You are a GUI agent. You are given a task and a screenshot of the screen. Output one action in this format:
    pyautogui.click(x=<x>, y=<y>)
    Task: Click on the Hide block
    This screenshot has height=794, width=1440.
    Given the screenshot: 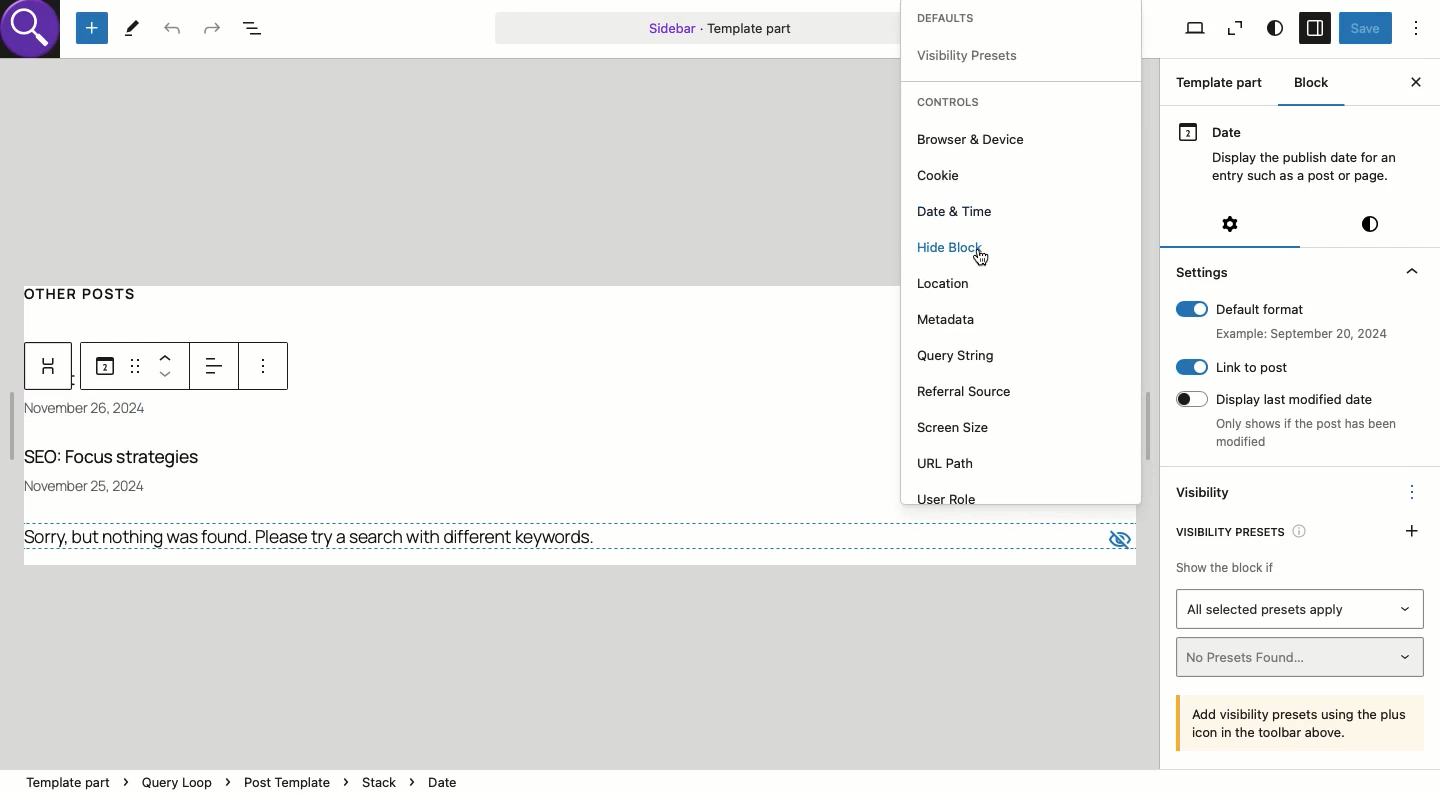 What is the action you would take?
    pyautogui.click(x=958, y=254)
    